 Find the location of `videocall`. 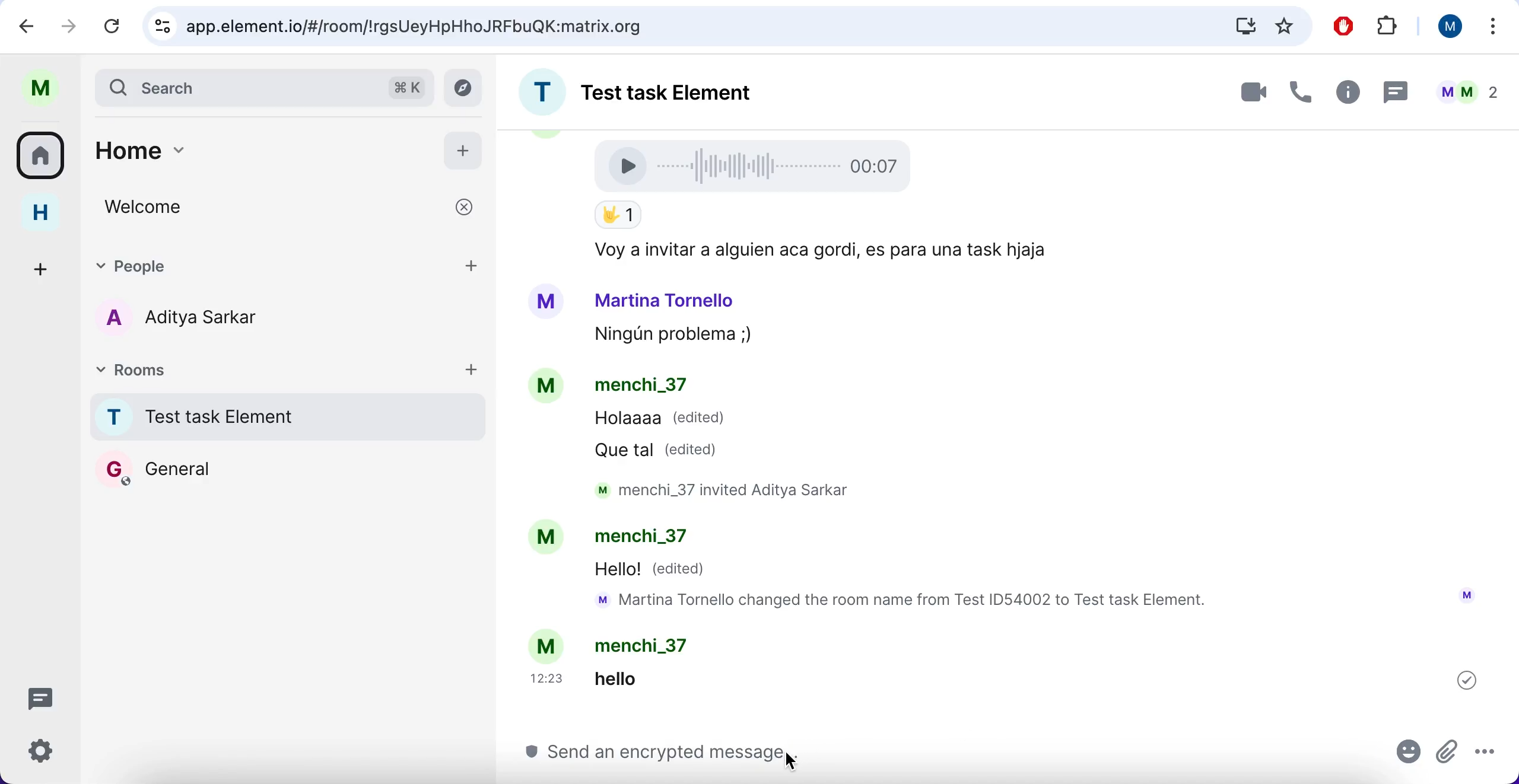

videocall is located at coordinates (1252, 91).